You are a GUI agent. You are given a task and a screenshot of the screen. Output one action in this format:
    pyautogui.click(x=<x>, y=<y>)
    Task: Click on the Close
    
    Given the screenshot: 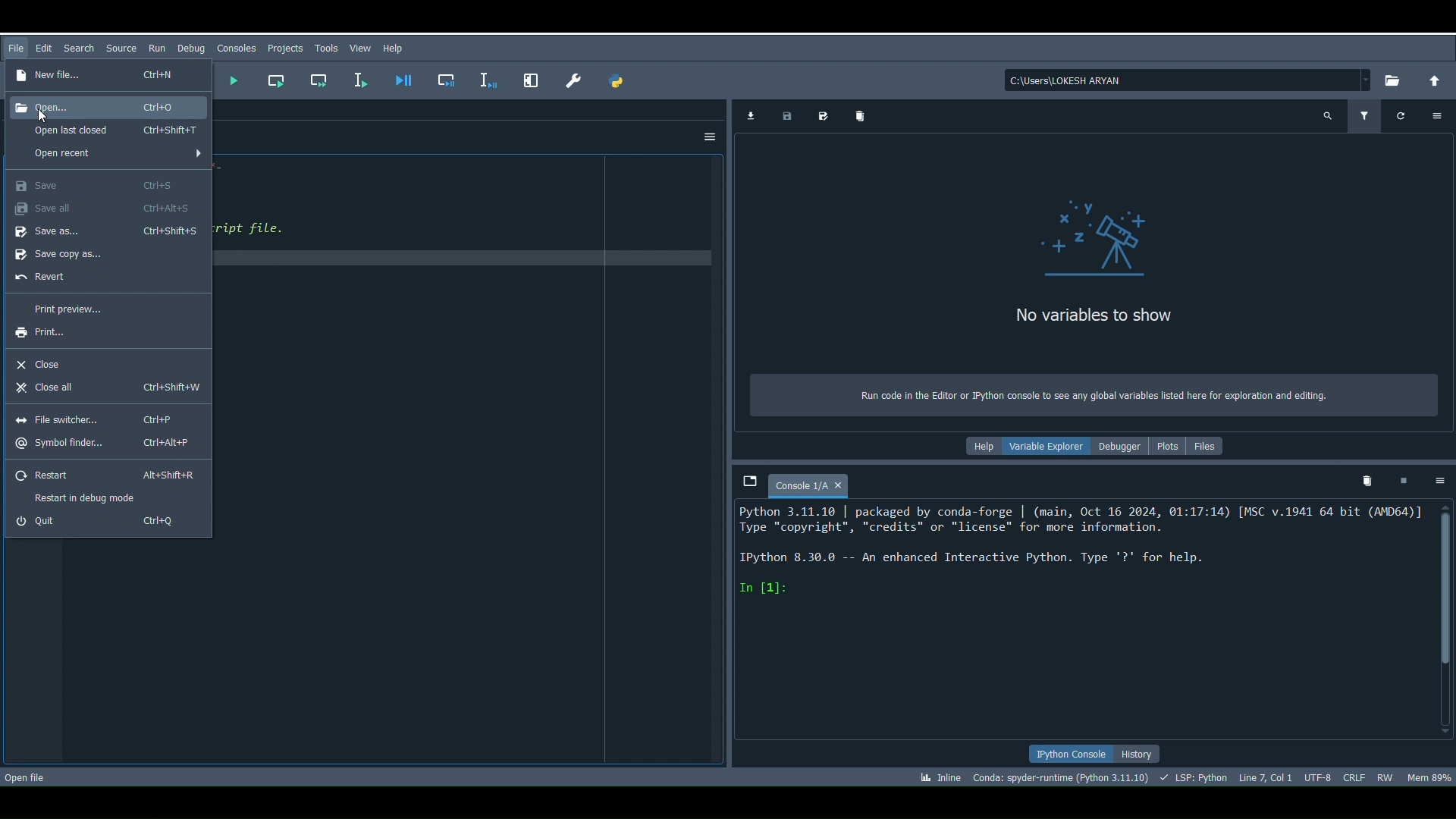 What is the action you would take?
    pyautogui.click(x=108, y=359)
    